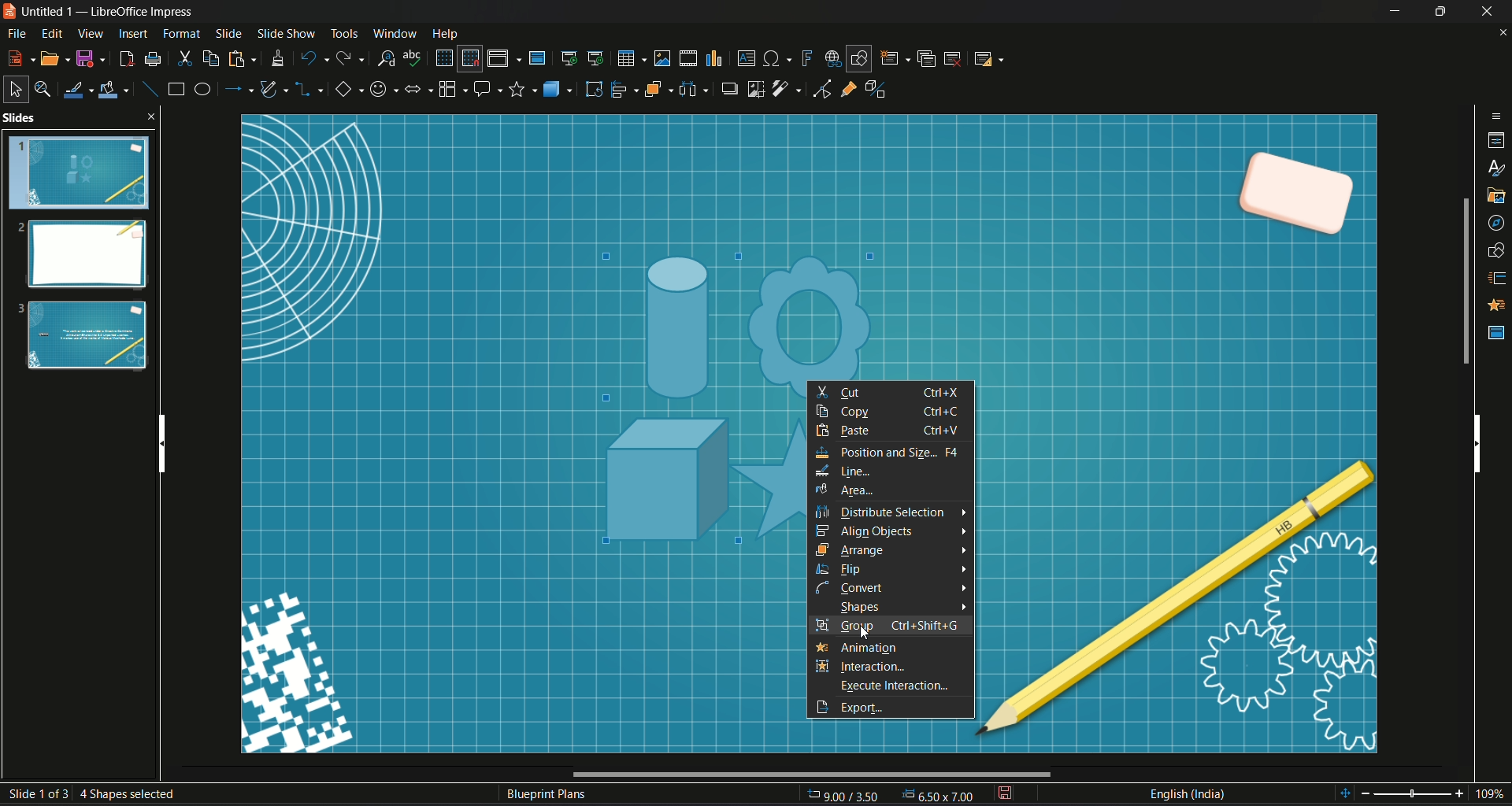  What do you see at coordinates (211, 59) in the screenshot?
I see `copy ` at bounding box center [211, 59].